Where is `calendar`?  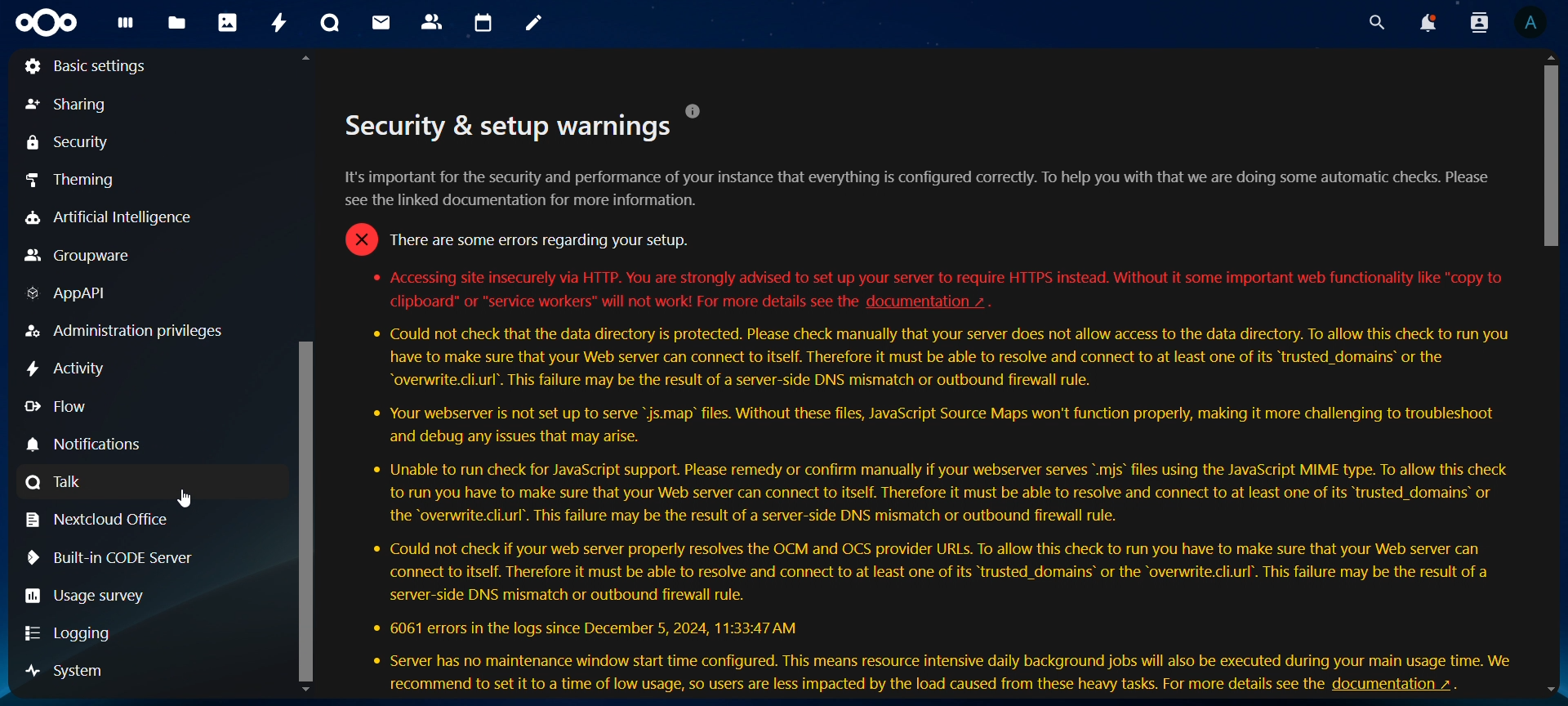 calendar is located at coordinates (484, 23).